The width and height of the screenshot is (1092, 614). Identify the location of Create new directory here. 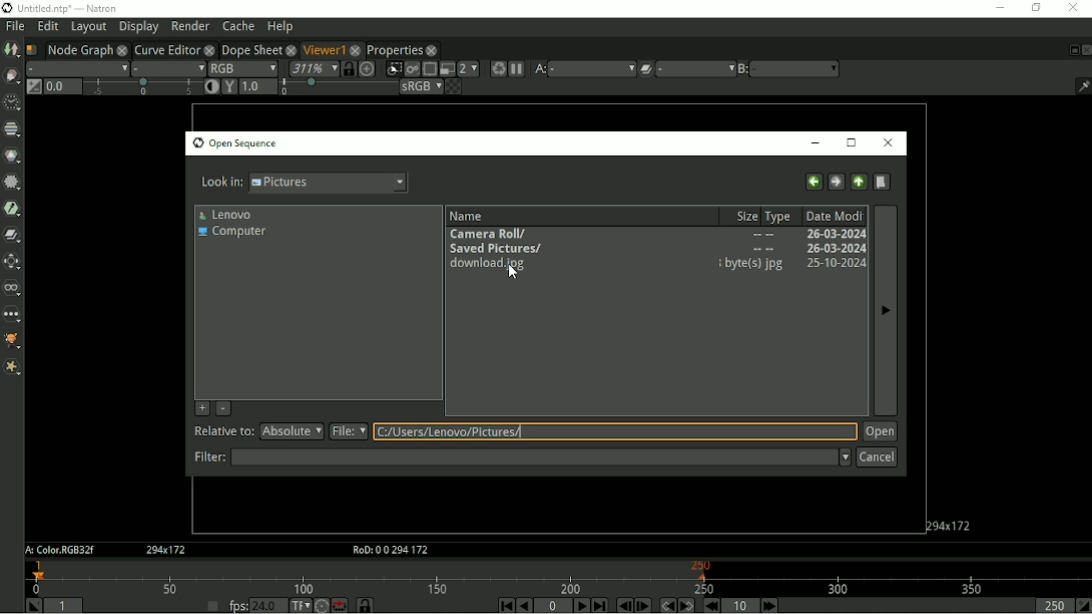
(882, 182).